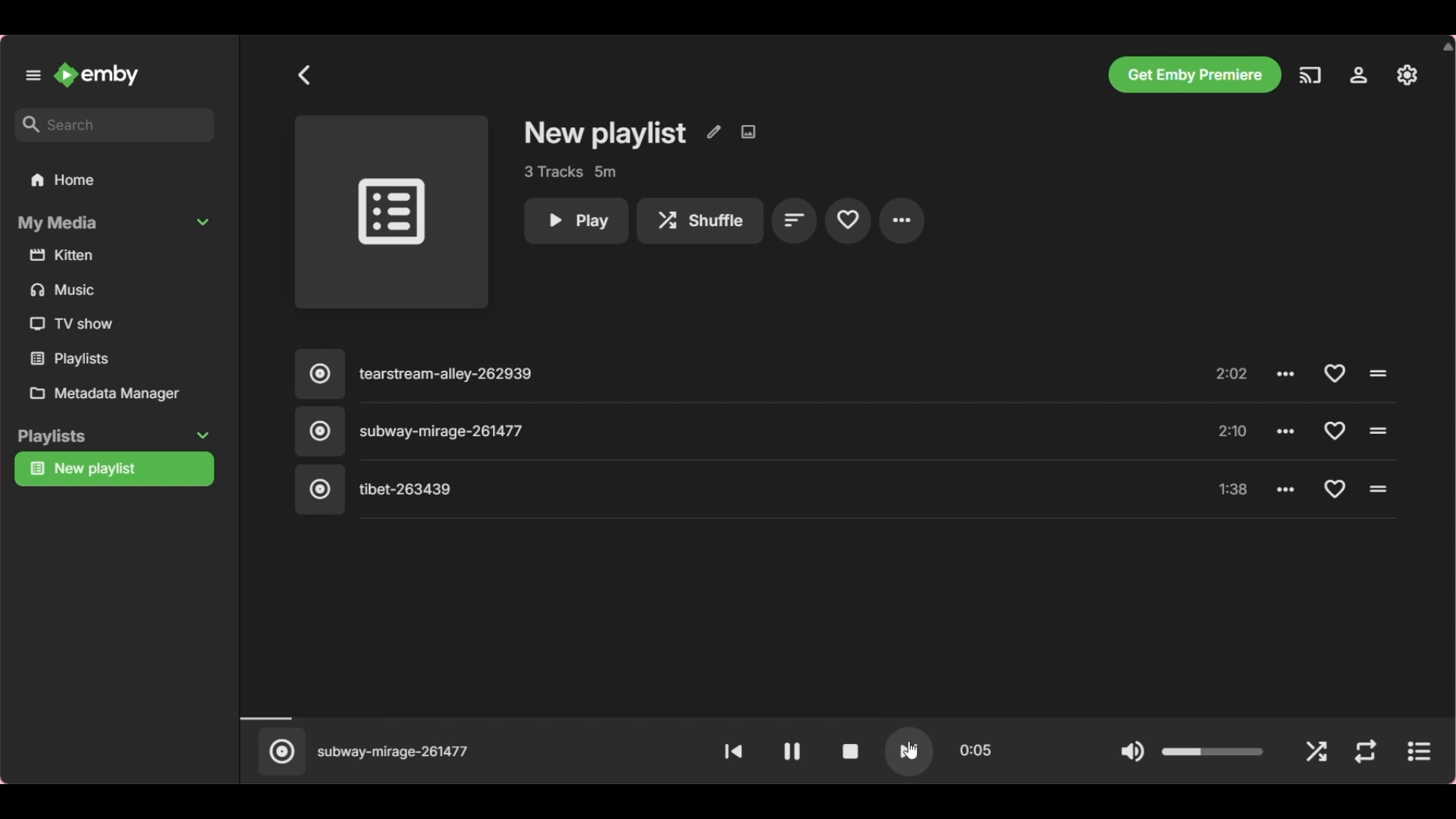 Image resolution: width=1456 pixels, height=819 pixels. Describe the element at coordinates (902, 221) in the screenshot. I see `More settings` at that location.